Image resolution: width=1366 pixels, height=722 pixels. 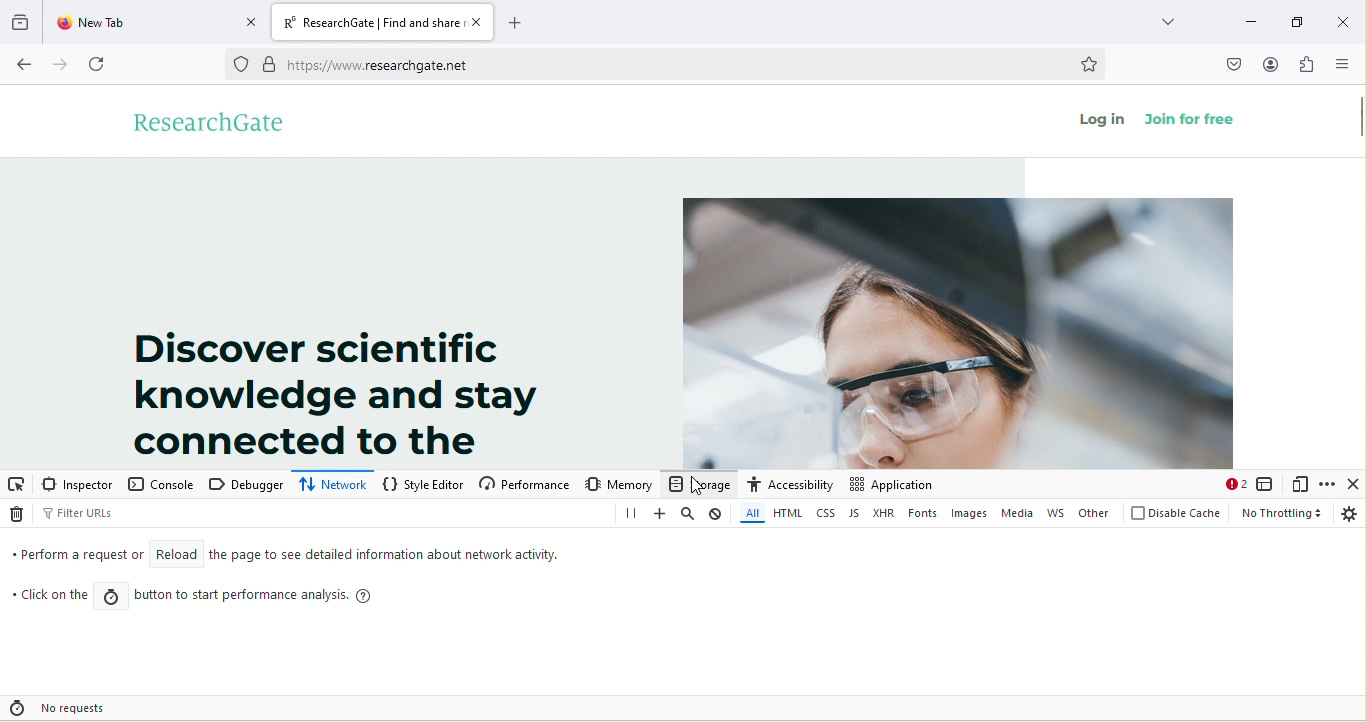 What do you see at coordinates (1281, 516) in the screenshot?
I see `no throtting` at bounding box center [1281, 516].